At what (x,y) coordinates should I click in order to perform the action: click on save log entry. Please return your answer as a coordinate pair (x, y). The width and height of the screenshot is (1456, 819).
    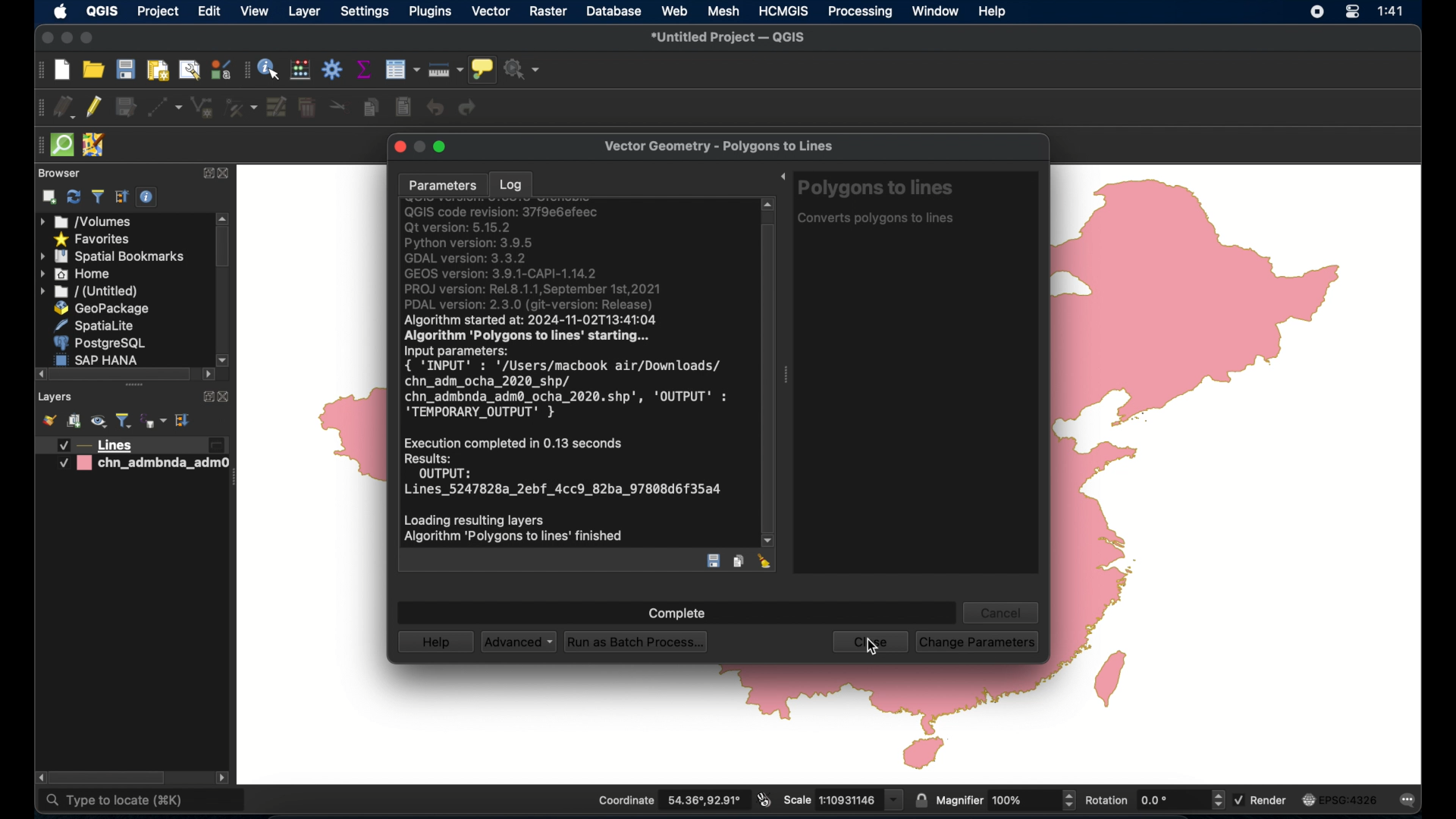
    Looking at the image, I should click on (714, 560).